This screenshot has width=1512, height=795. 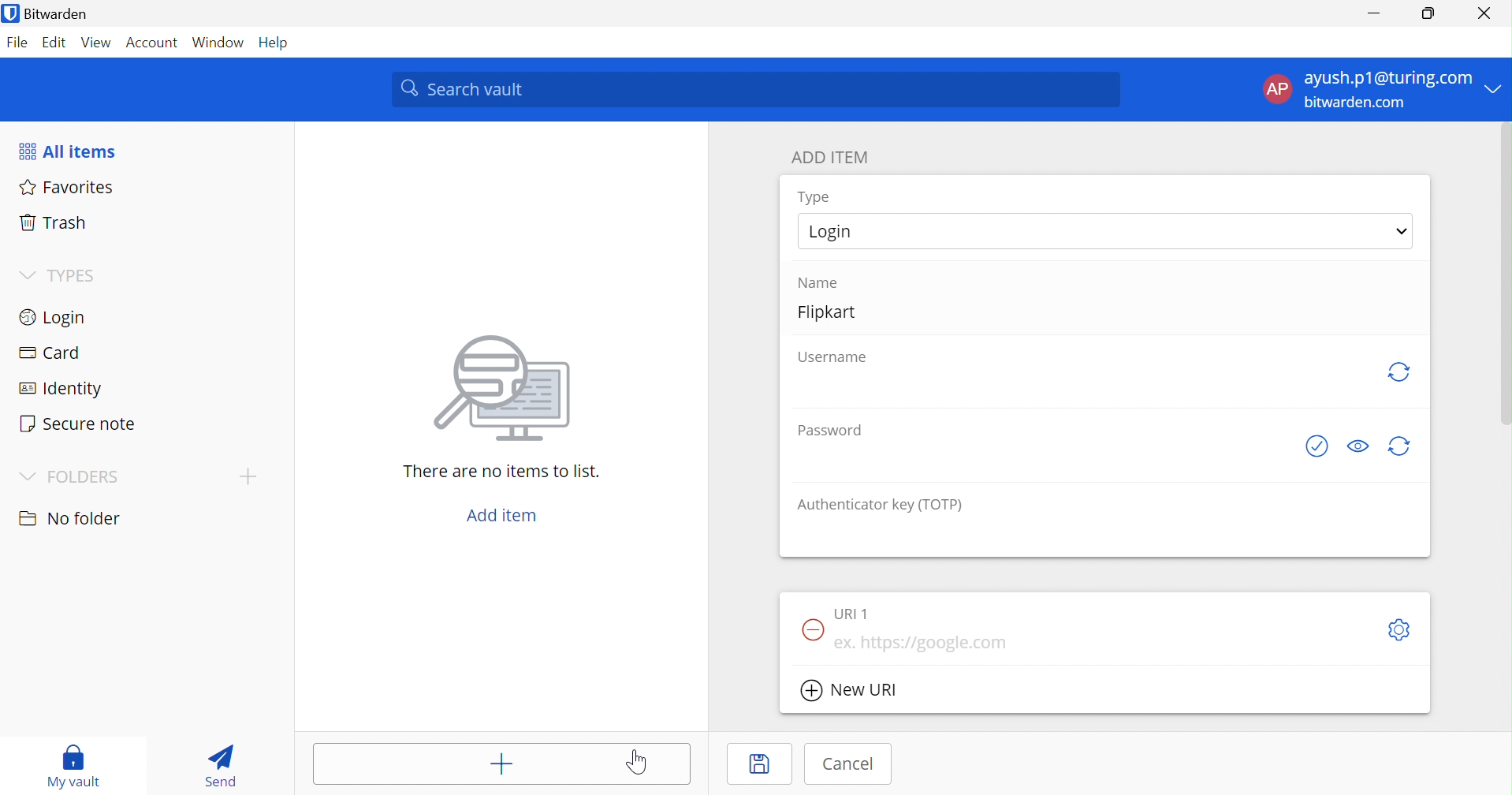 What do you see at coordinates (76, 765) in the screenshot?
I see `My vault` at bounding box center [76, 765].